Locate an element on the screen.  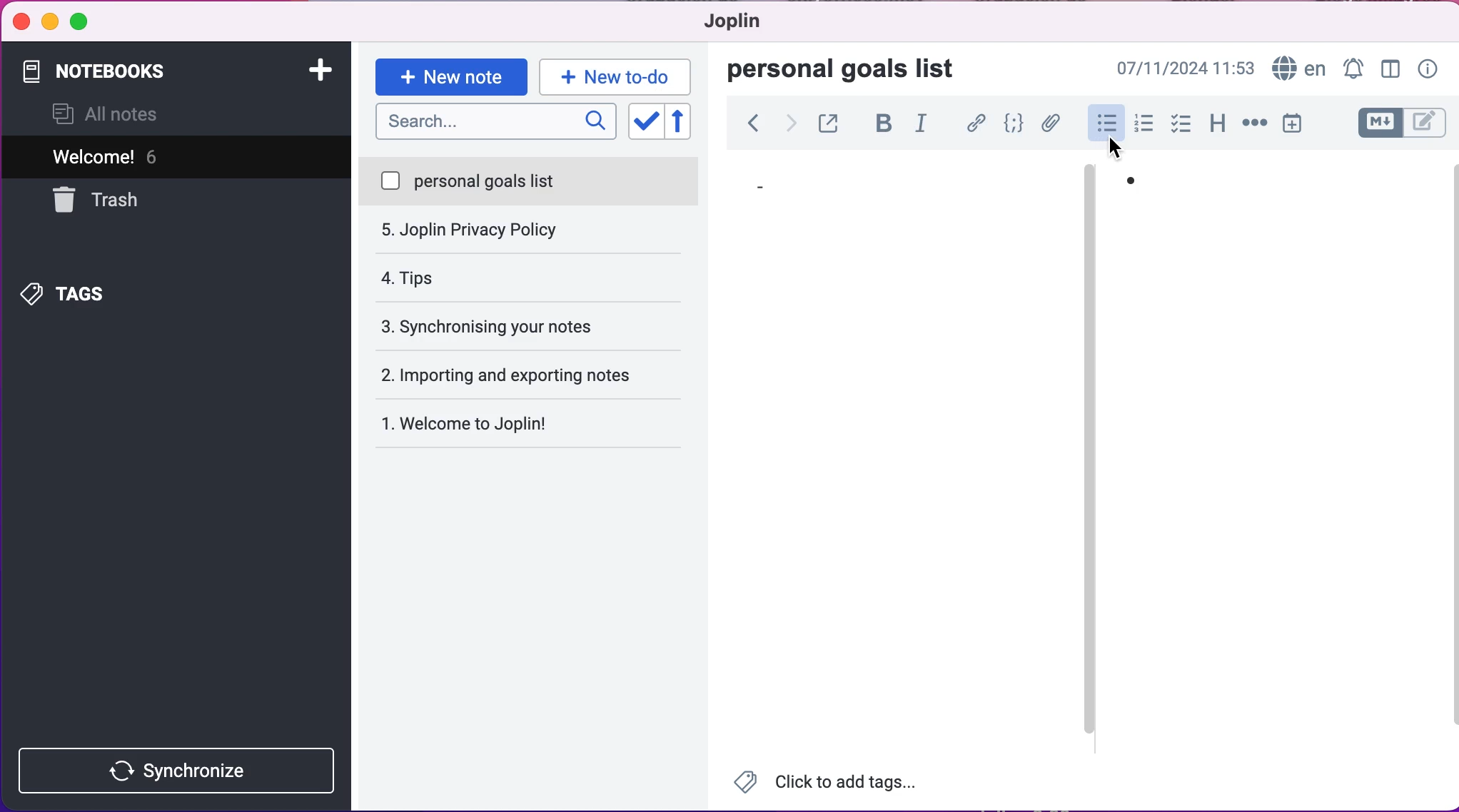
tips is located at coordinates (527, 231).